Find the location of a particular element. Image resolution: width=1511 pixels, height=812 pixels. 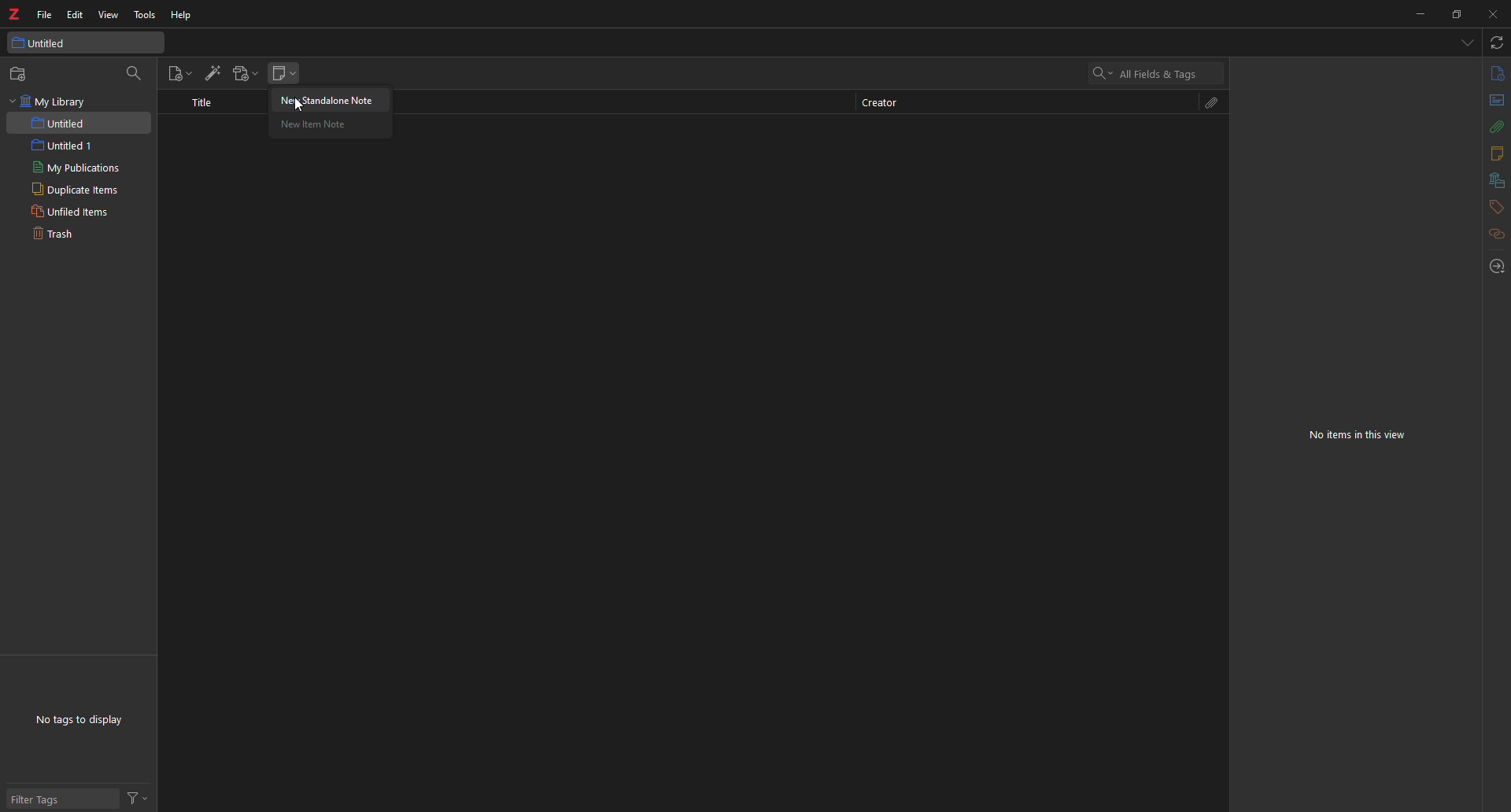

duplicate is located at coordinates (73, 190).